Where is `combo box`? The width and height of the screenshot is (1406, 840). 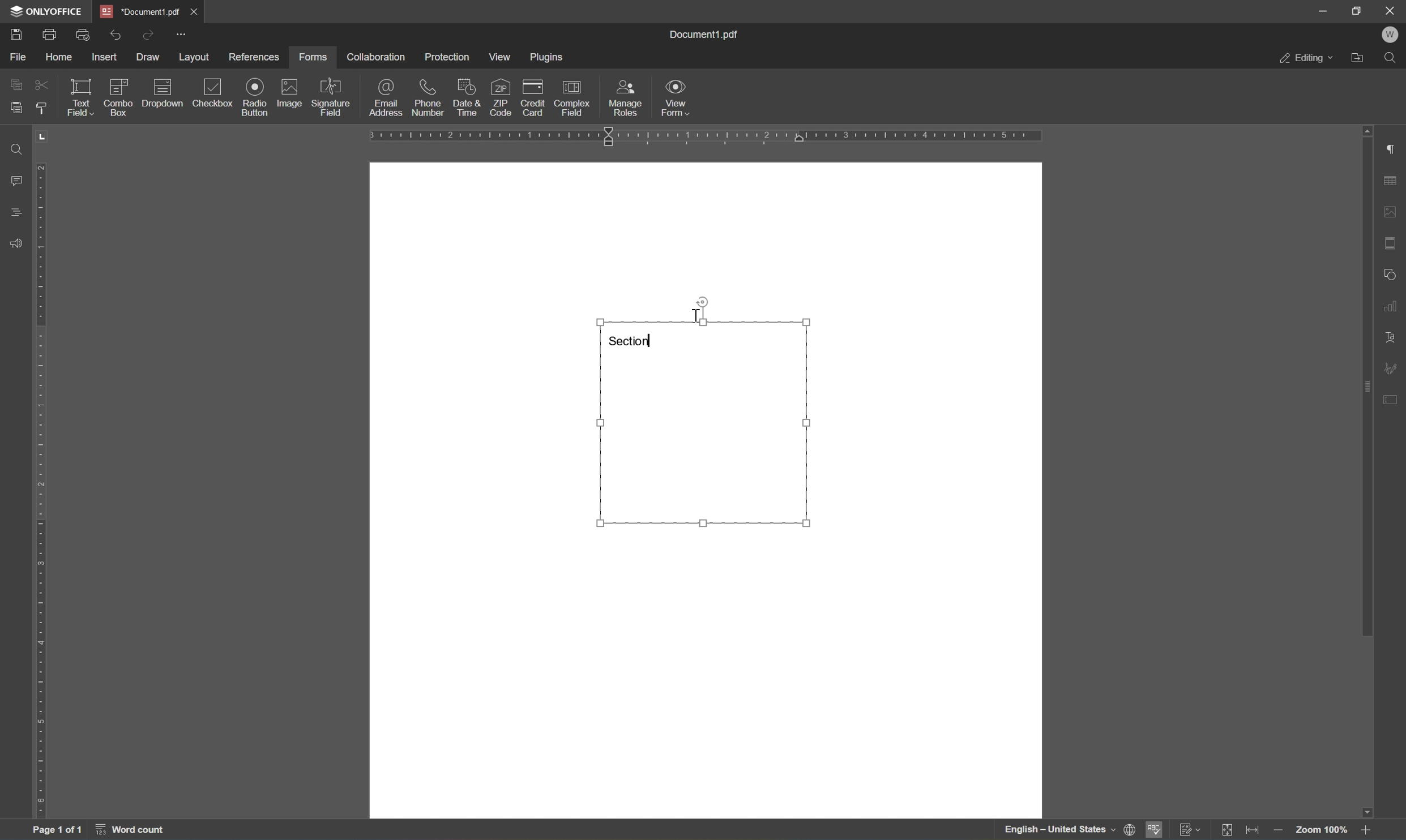 combo box is located at coordinates (119, 95).